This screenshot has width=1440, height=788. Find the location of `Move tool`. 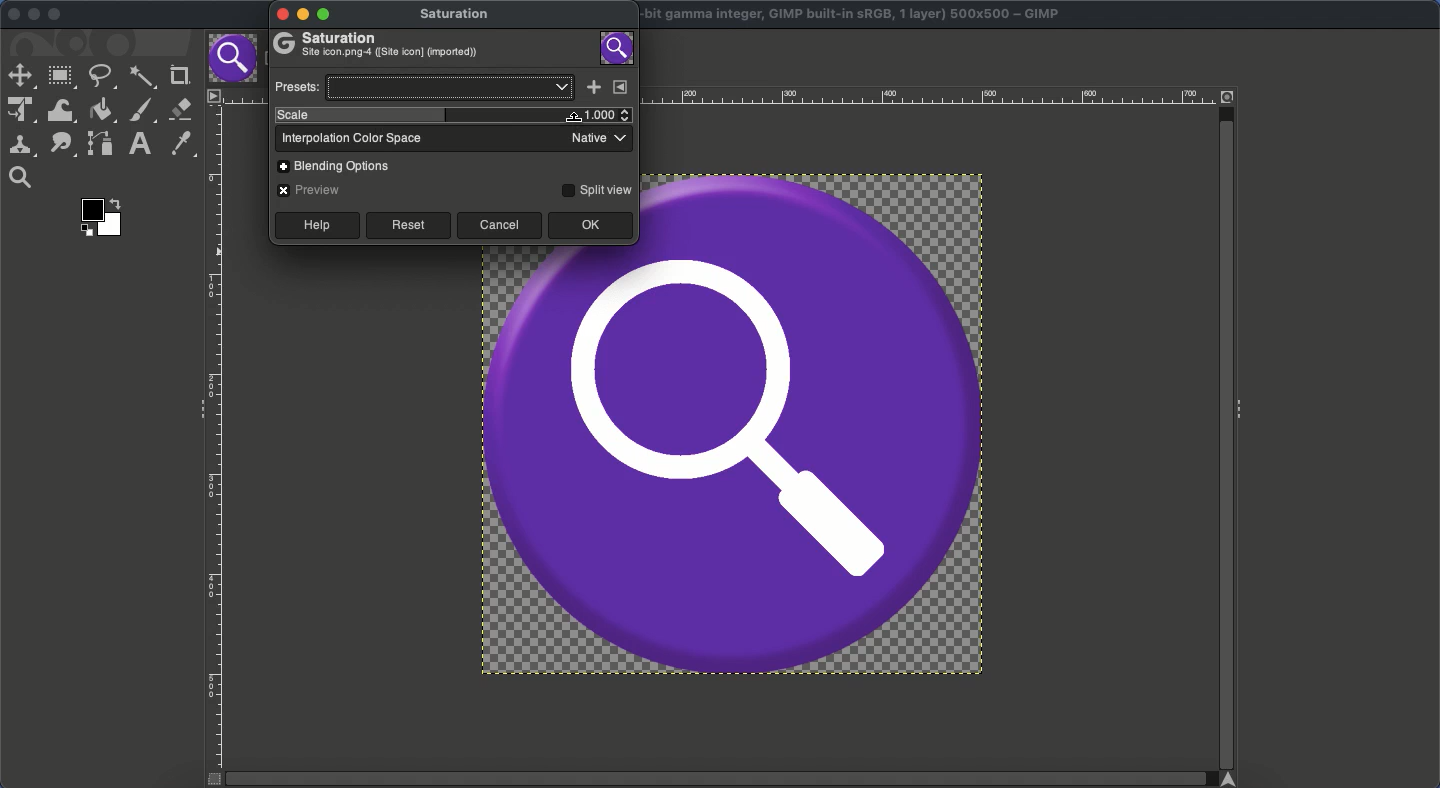

Move tool is located at coordinates (20, 74).